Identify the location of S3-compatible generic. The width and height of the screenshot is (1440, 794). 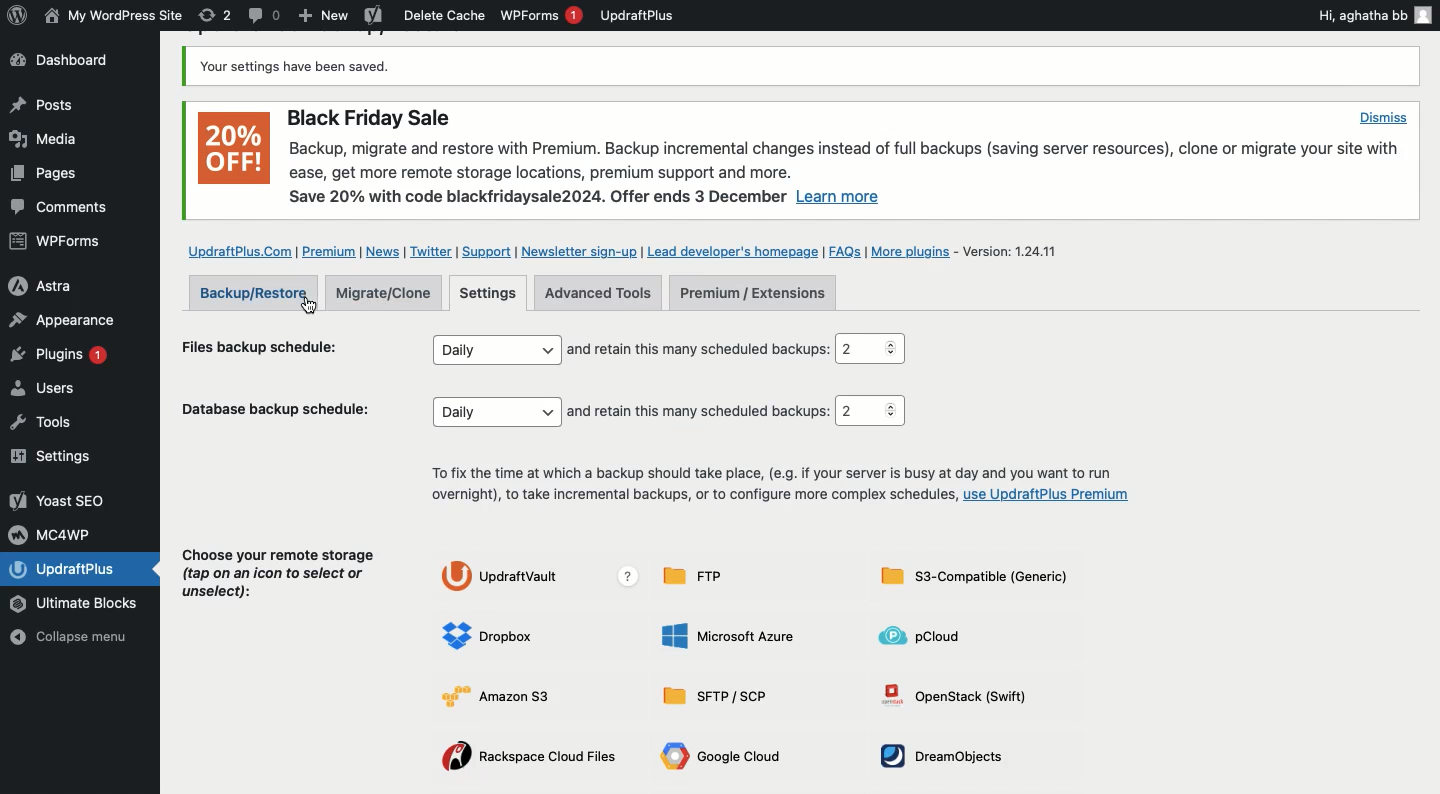
(970, 576).